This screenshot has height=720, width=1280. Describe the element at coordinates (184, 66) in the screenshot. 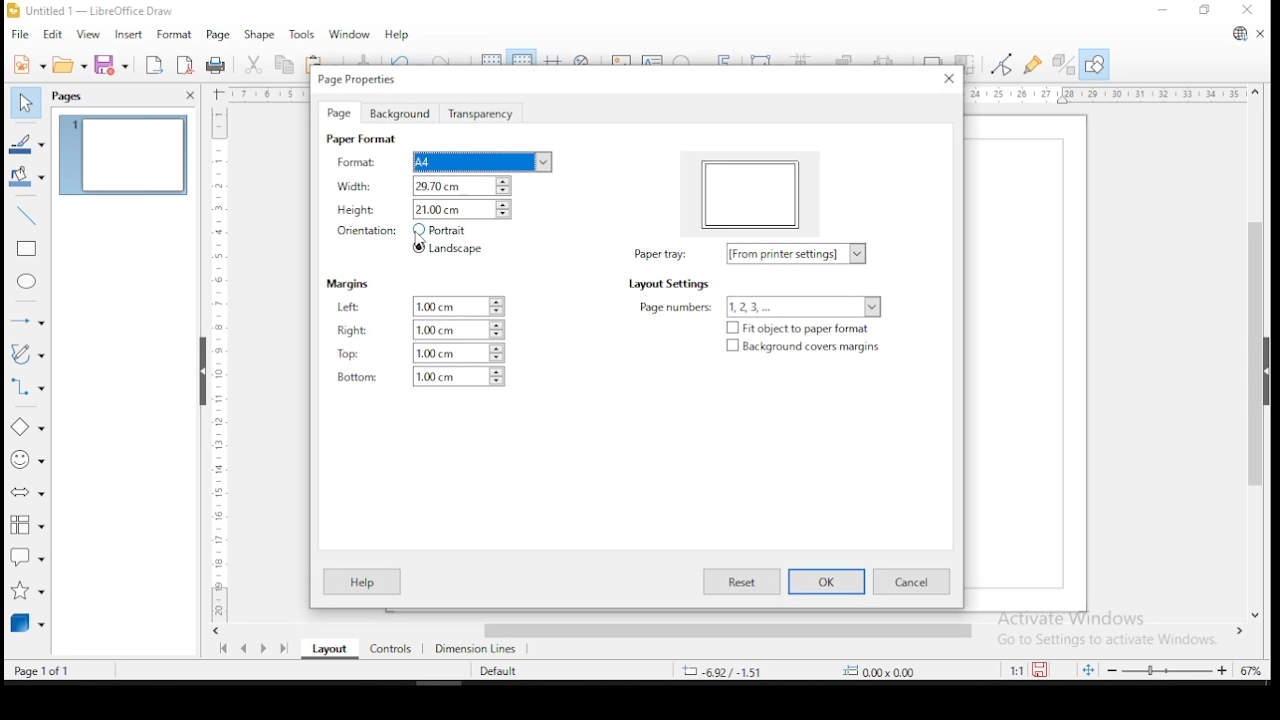

I see `export as pdf` at that location.